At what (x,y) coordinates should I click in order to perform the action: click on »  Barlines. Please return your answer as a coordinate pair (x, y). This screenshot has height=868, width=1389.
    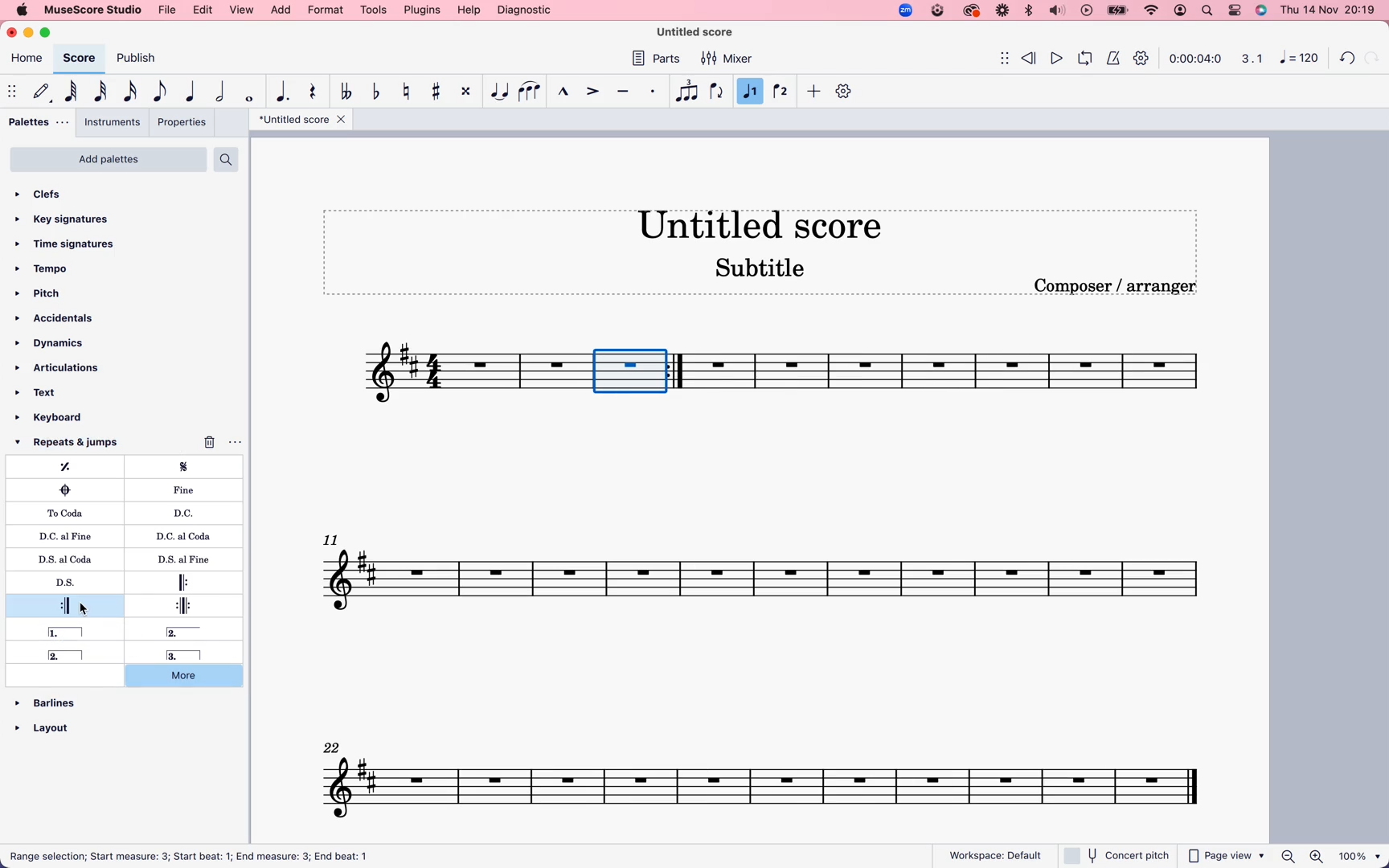
    Looking at the image, I should click on (53, 694).